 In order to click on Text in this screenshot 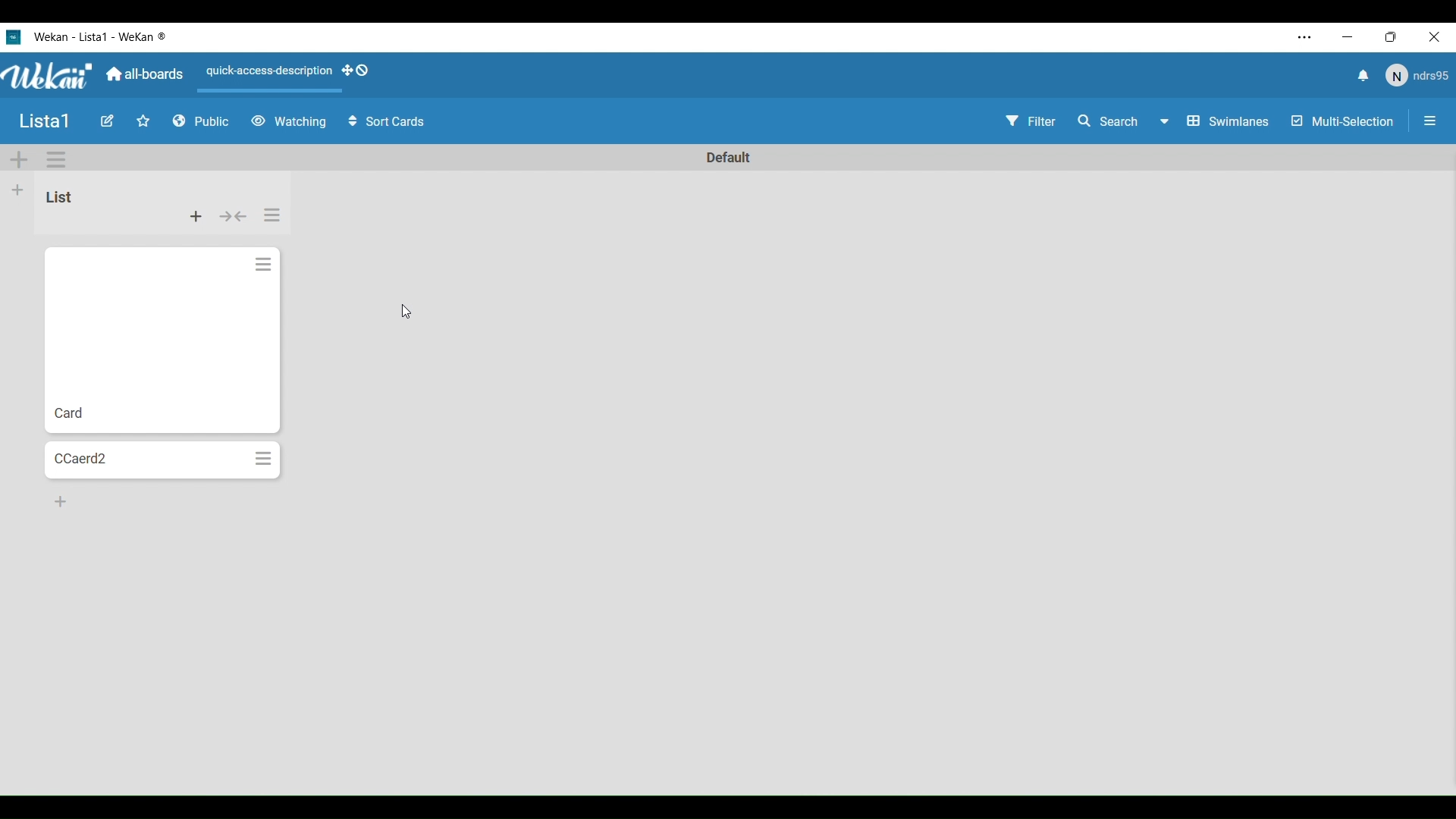, I will do `click(726, 155)`.